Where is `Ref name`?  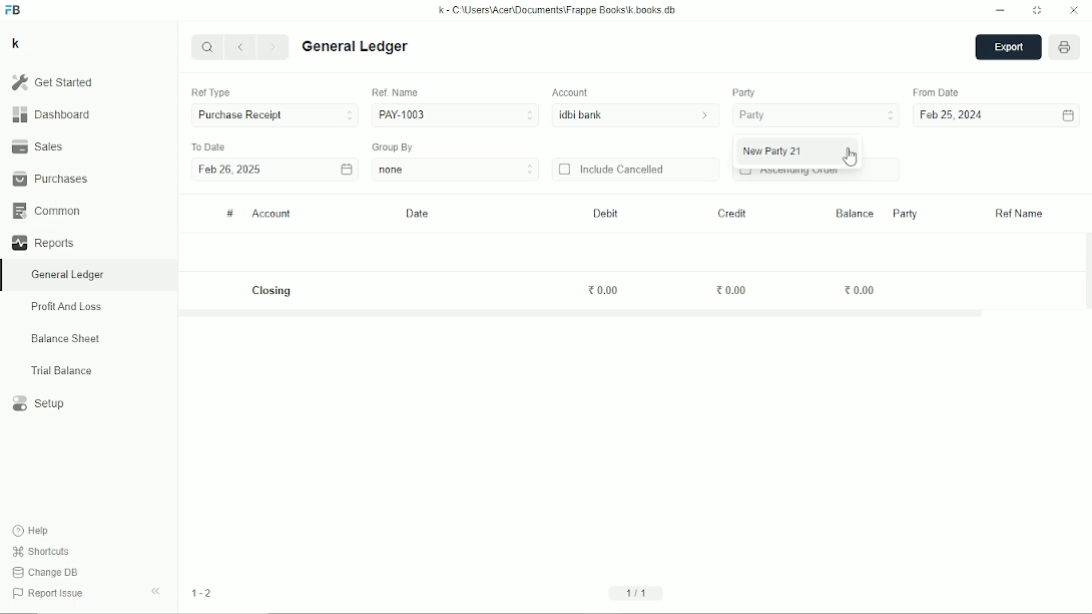 Ref name is located at coordinates (1020, 214).